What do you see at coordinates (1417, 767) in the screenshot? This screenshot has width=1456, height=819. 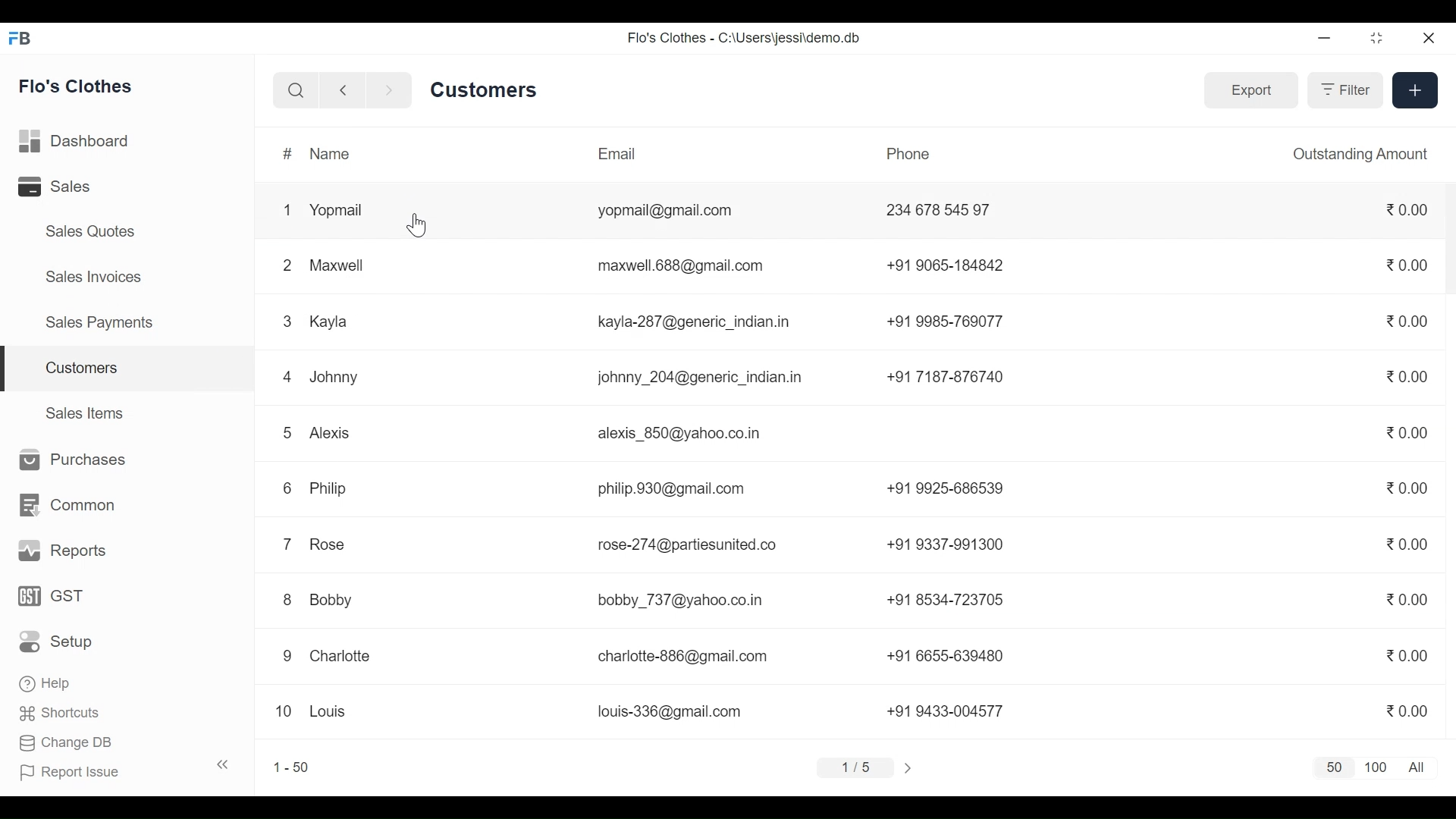 I see `All` at bounding box center [1417, 767].